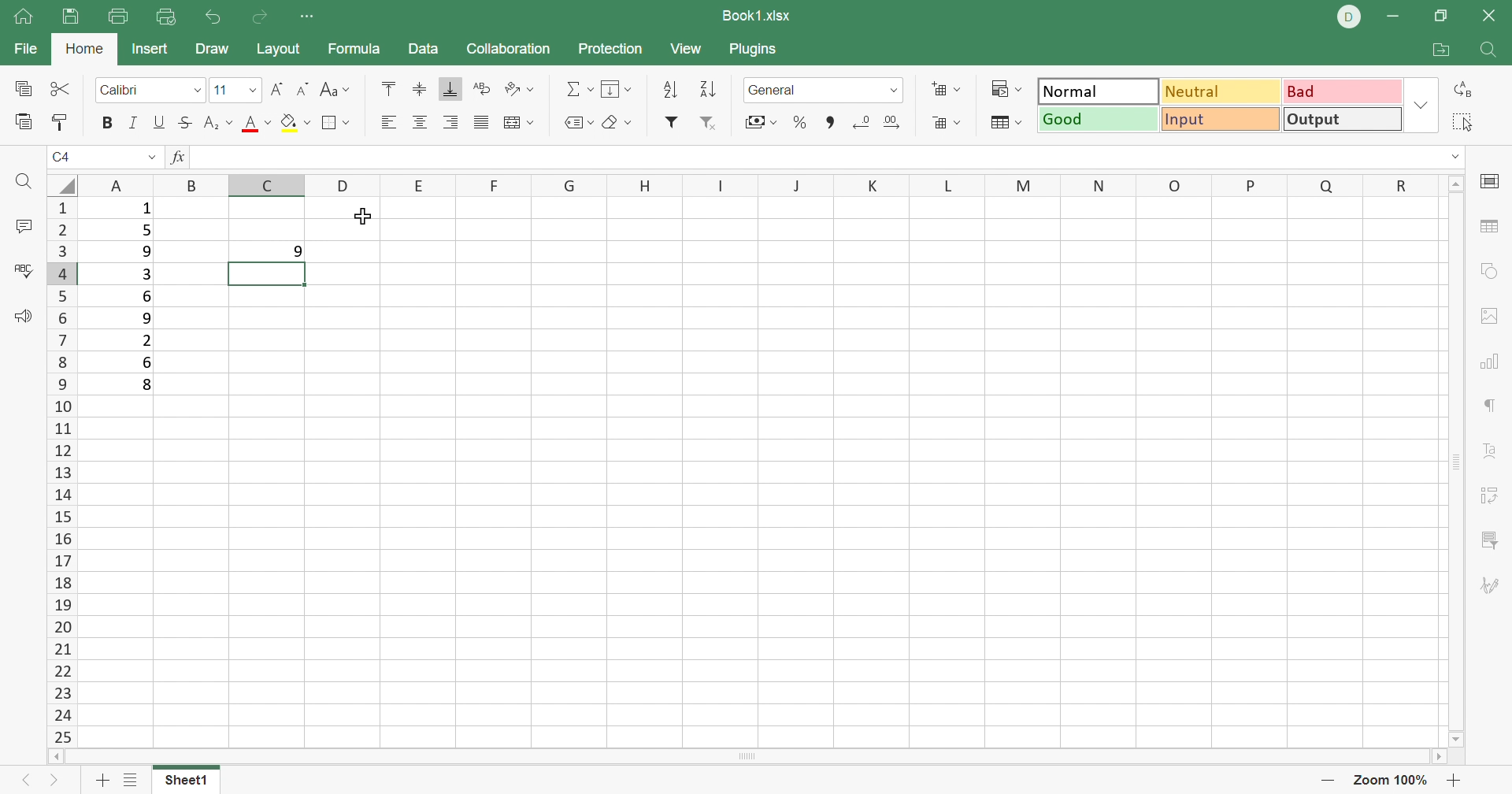 The width and height of the screenshot is (1512, 794). Describe the element at coordinates (363, 215) in the screenshot. I see `Cursor` at that location.